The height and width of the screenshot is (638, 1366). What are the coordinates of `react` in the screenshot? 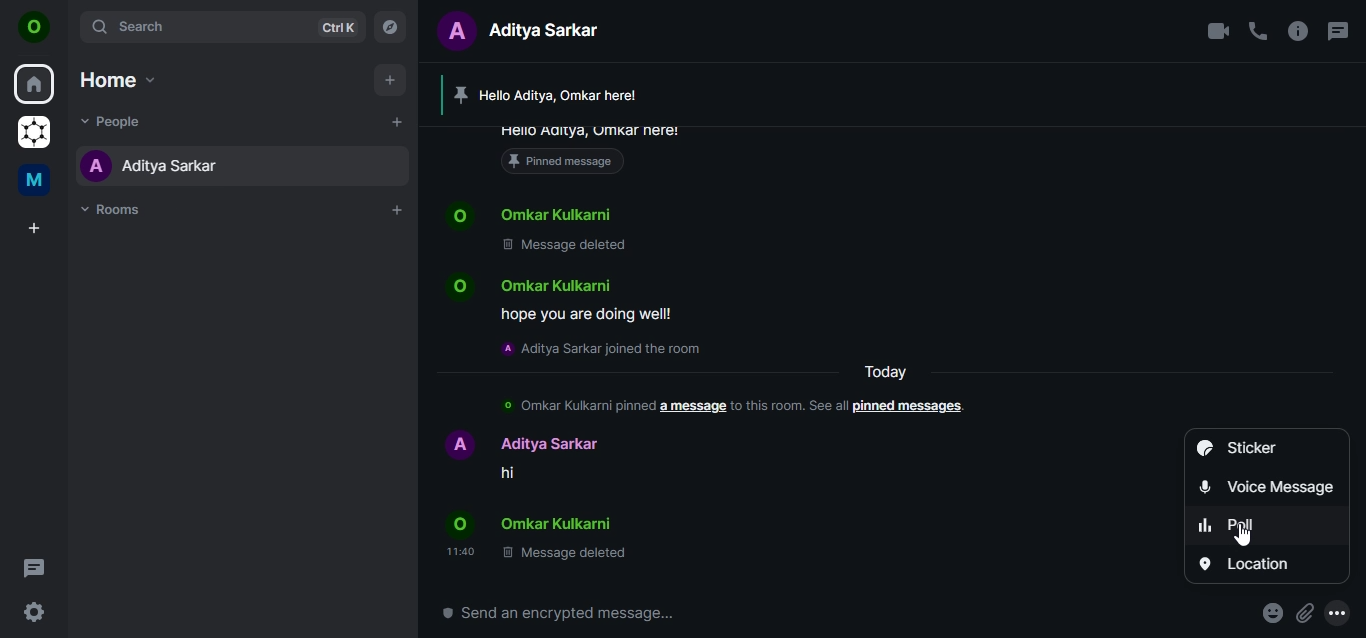 It's located at (1273, 615).